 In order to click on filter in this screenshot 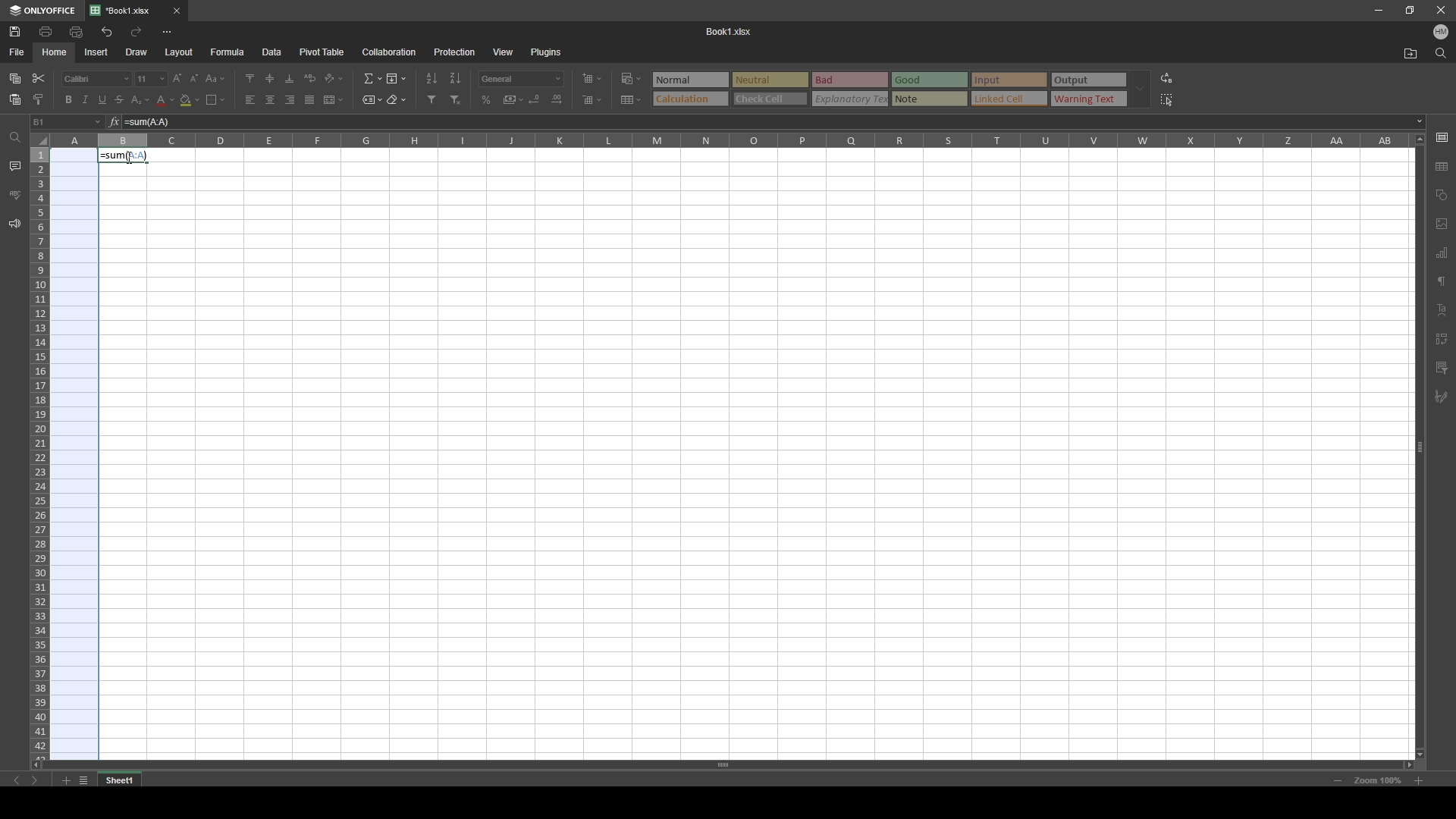, I will do `click(432, 99)`.